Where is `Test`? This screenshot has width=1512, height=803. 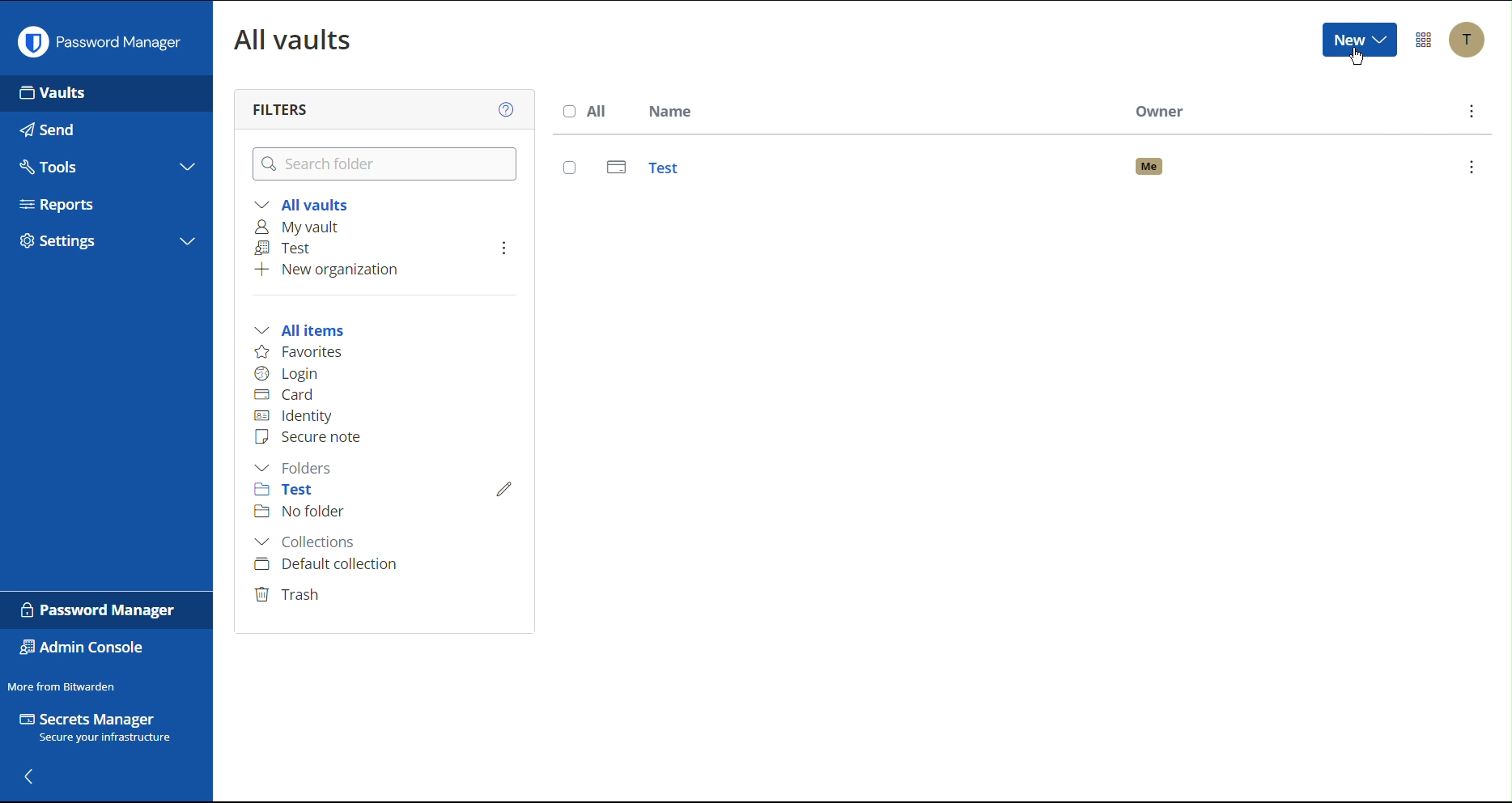
Test is located at coordinates (1022, 166).